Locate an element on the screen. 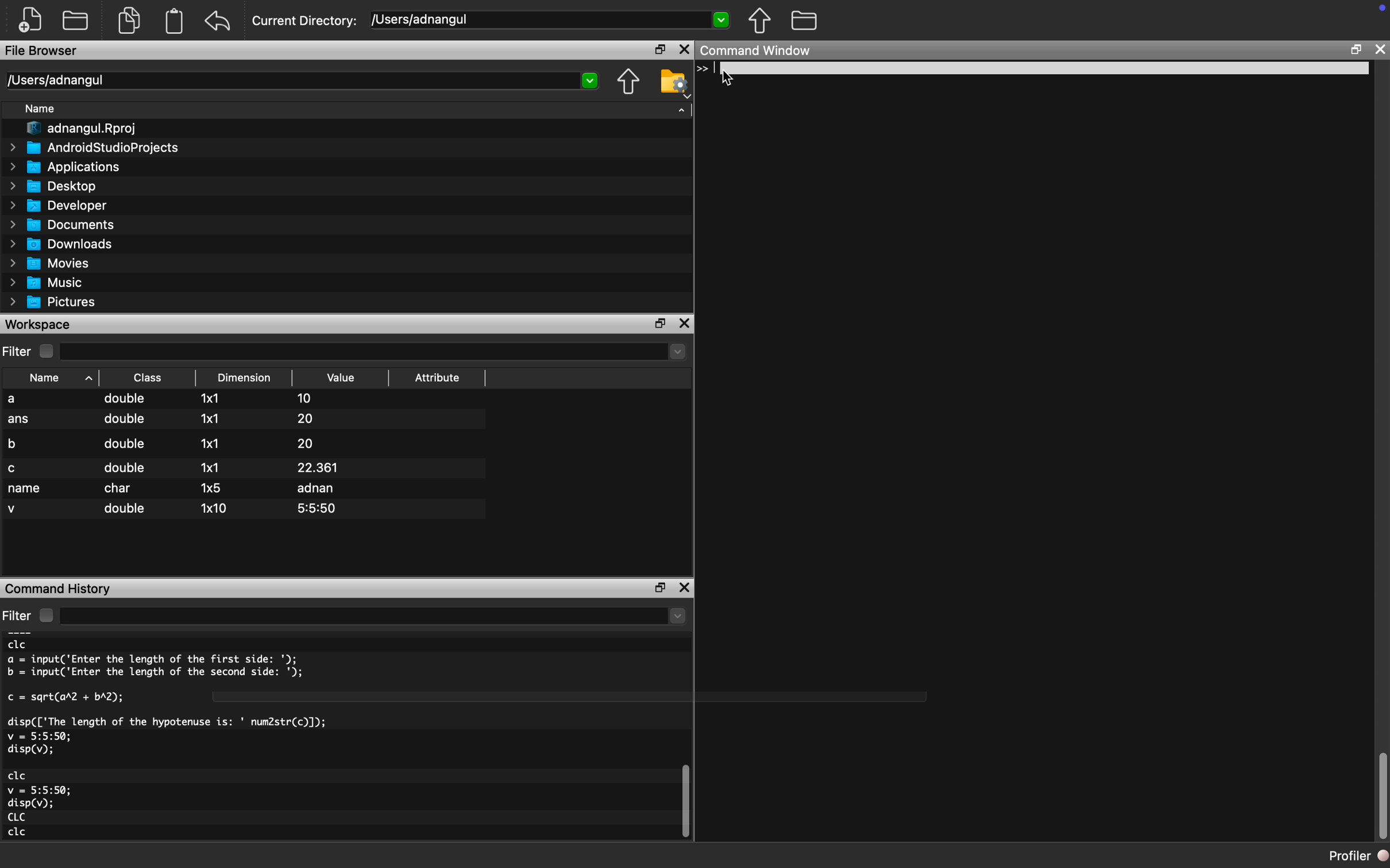 This screenshot has height=868, width=1390. Hide is located at coordinates (682, 114).